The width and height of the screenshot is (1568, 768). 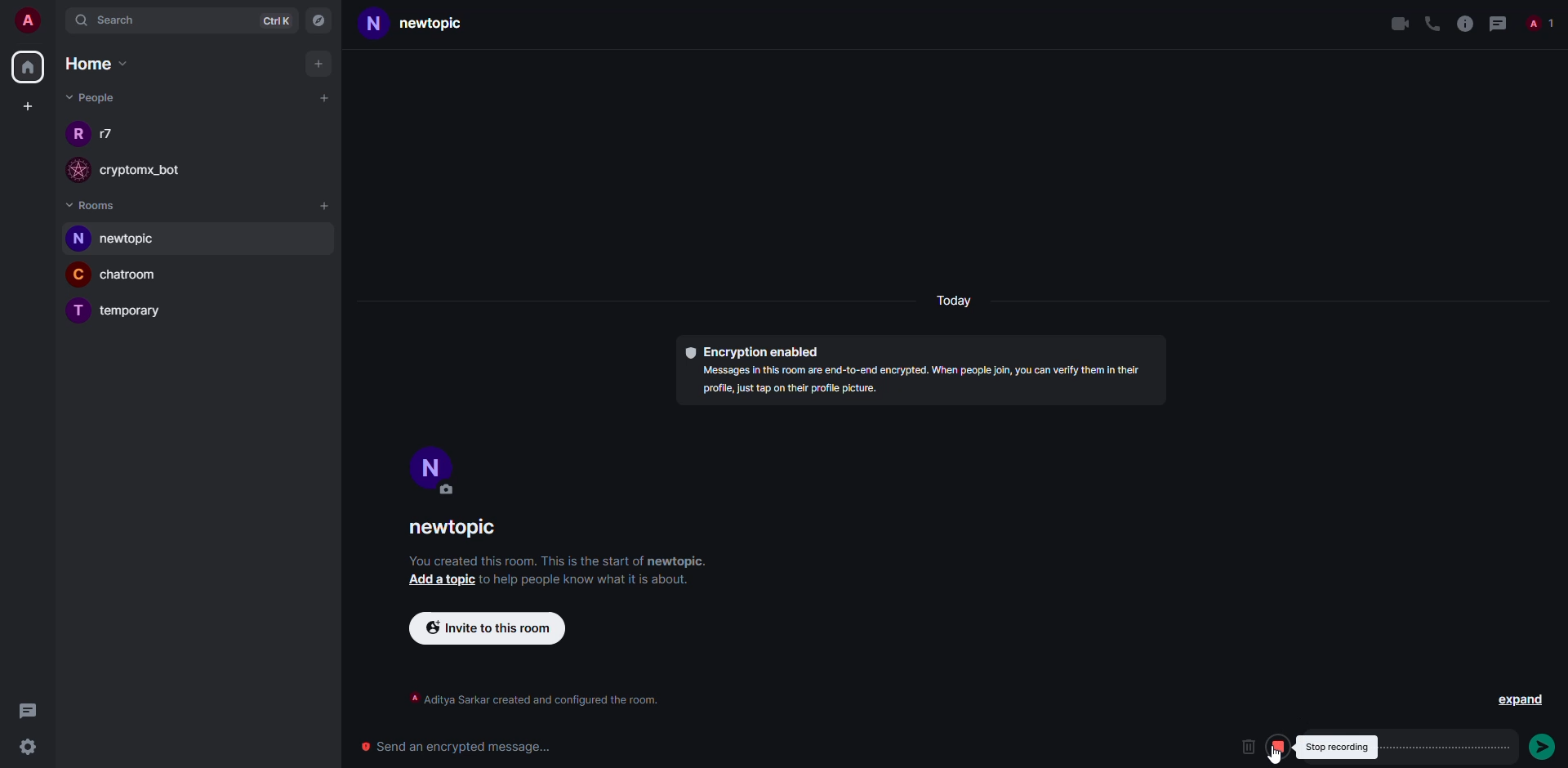 I want to click on room, so click(x=140, y=278).